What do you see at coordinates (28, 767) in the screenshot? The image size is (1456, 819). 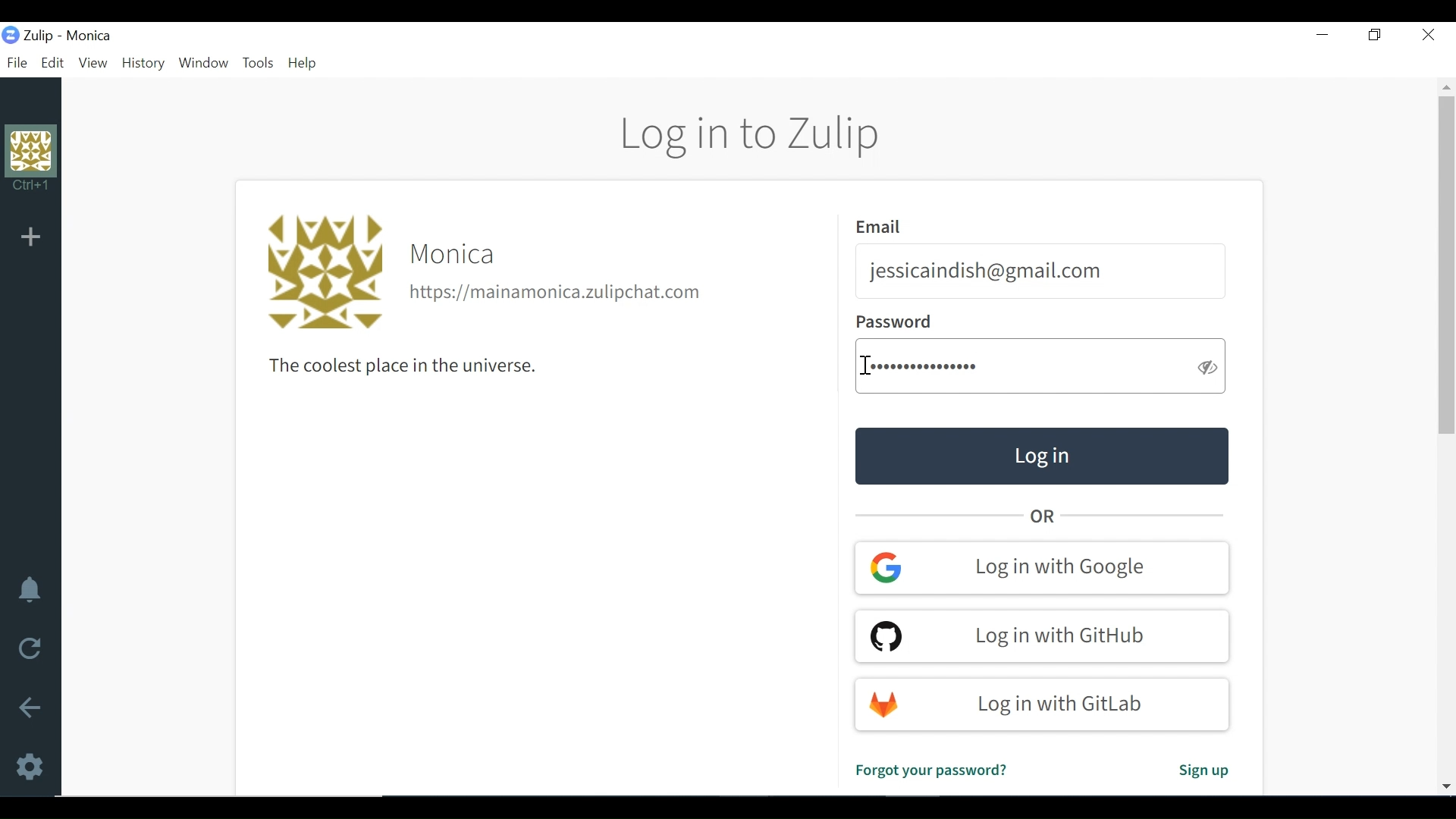 I see `Settings` at bounding box center [28, 767].